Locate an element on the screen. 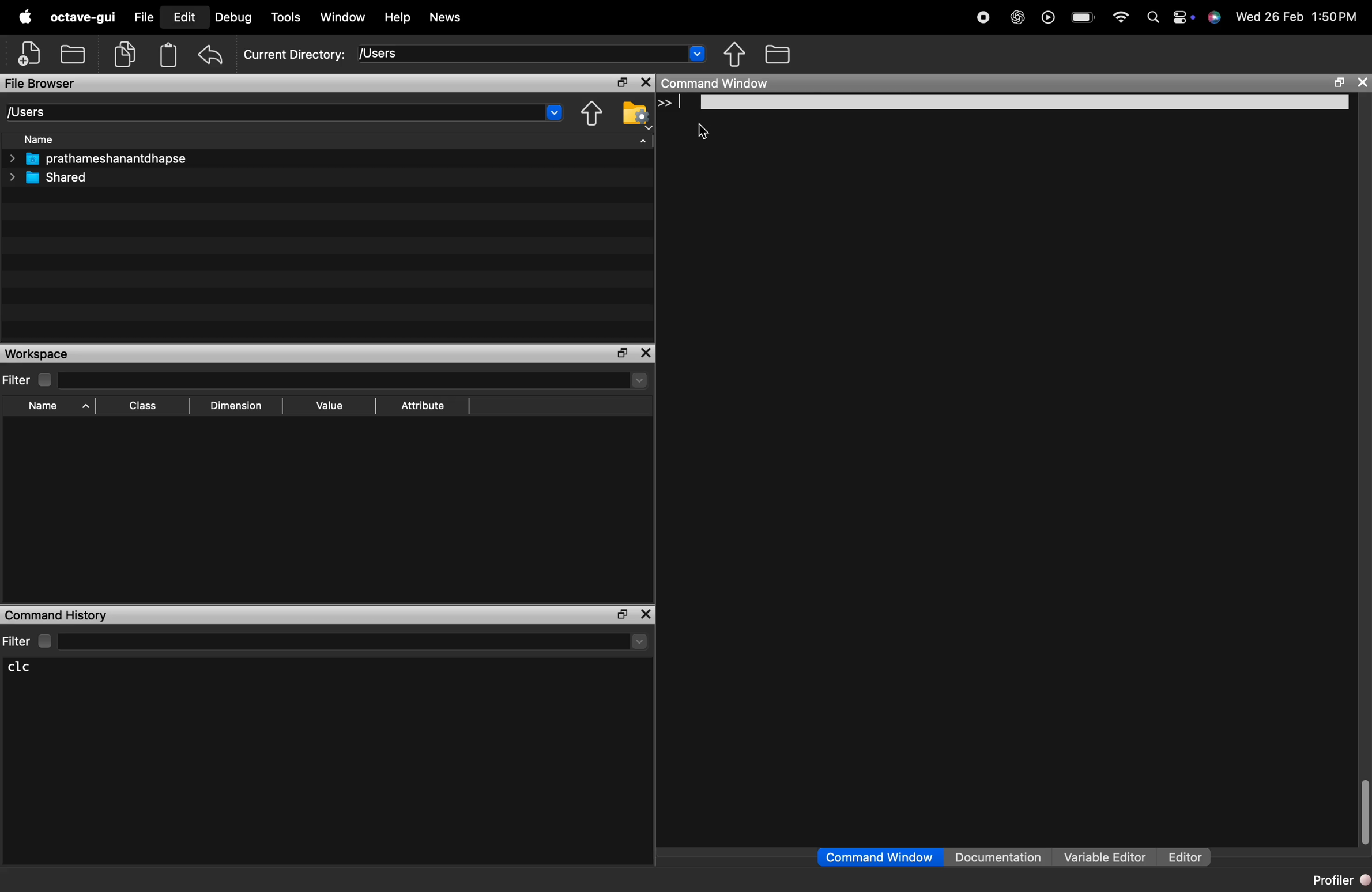 The width and height of the screenshot is (1372, 892). /Users is located at coordinates (532, 53).